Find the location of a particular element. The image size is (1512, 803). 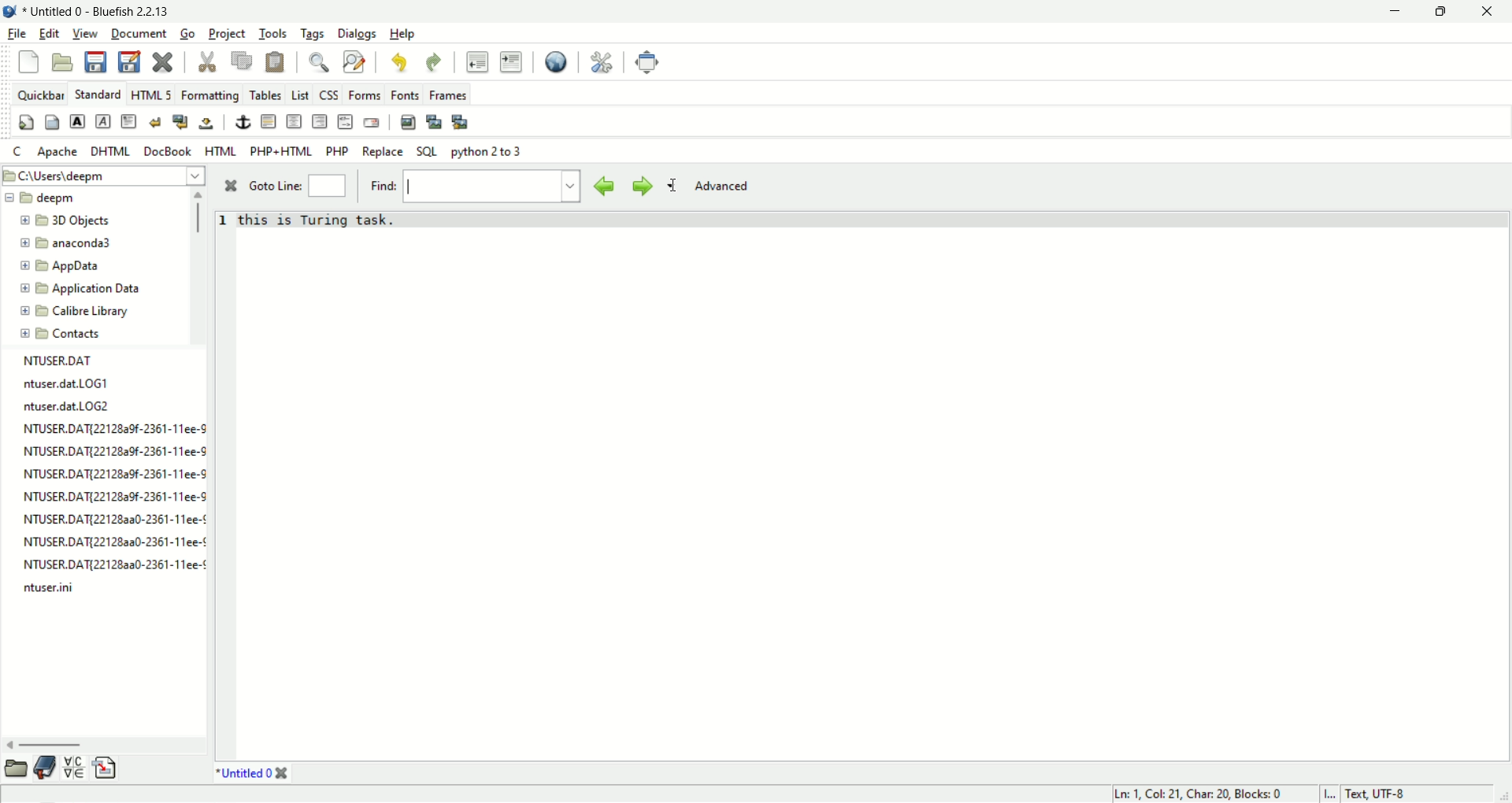

char map is located at coordinates (75, 768).